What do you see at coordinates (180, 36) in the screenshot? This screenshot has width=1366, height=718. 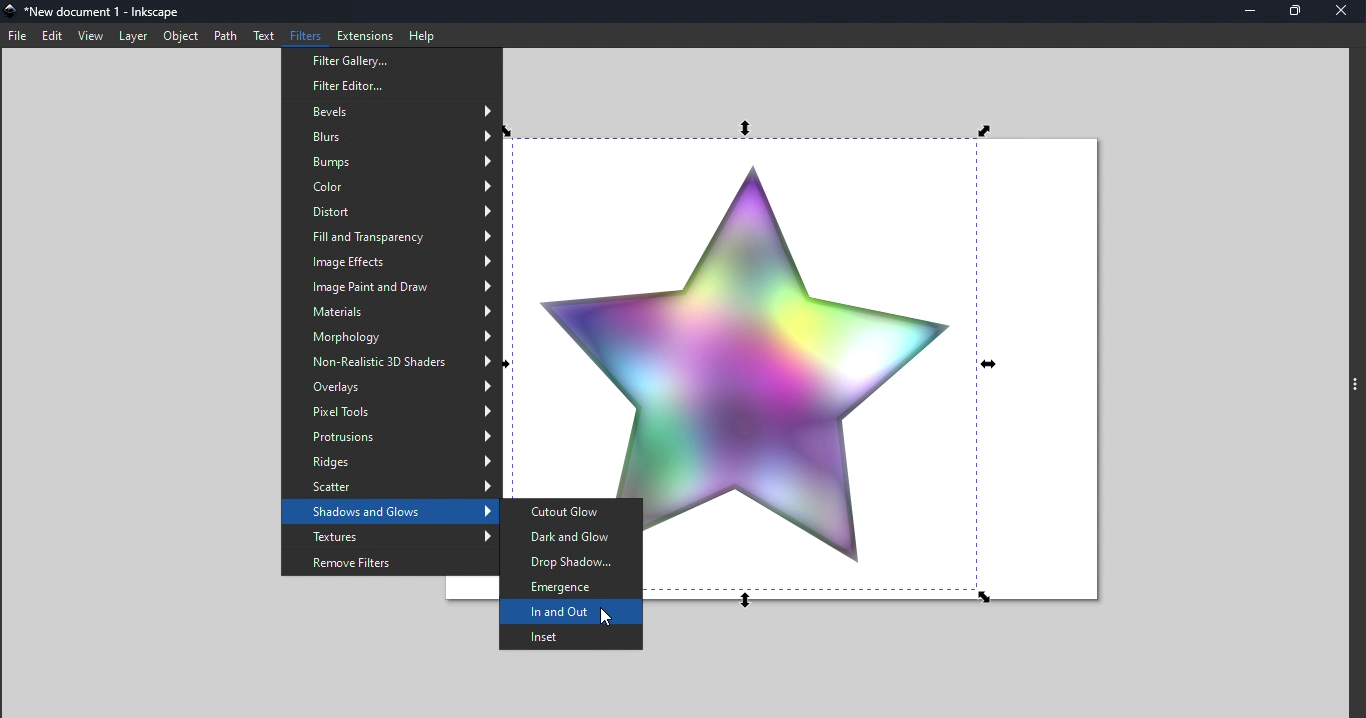 I see `Object` at bounding box center [180, 36].